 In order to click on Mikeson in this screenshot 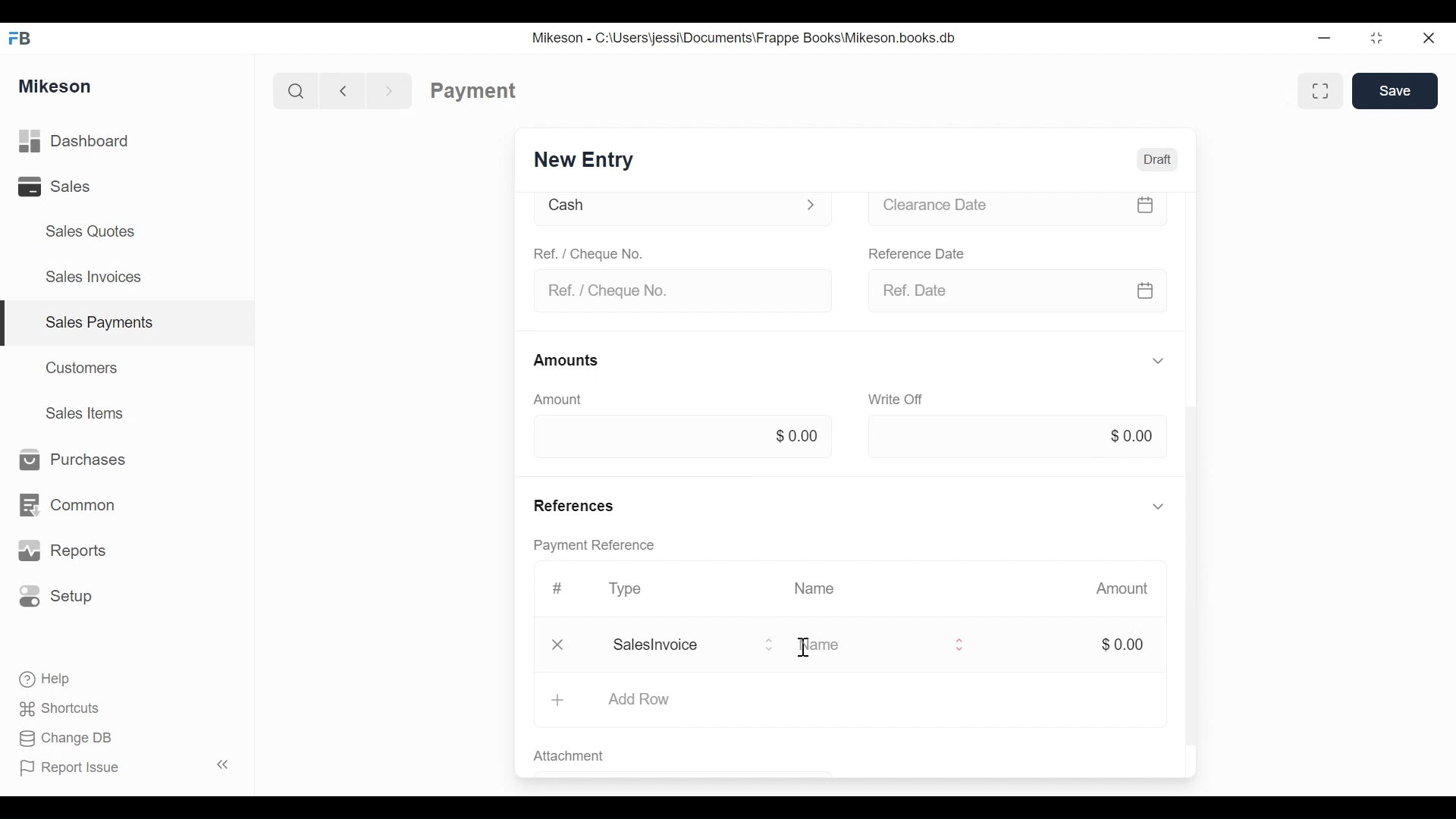, I will do `click(56, 84)`.